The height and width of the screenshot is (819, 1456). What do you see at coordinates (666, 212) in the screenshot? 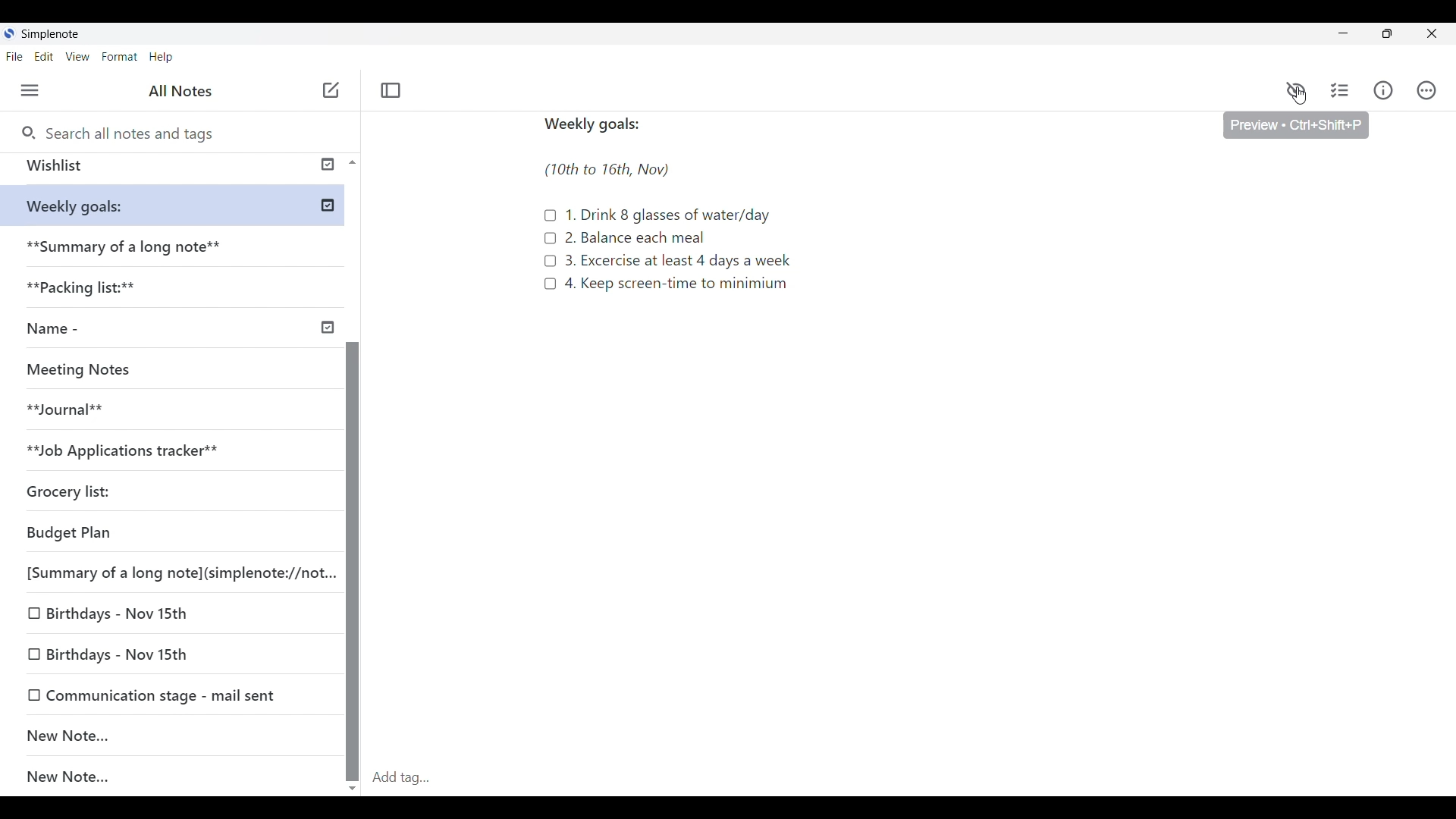
I see `1. Drink 8 glasses of water/day` at bounding box center [666, 212].